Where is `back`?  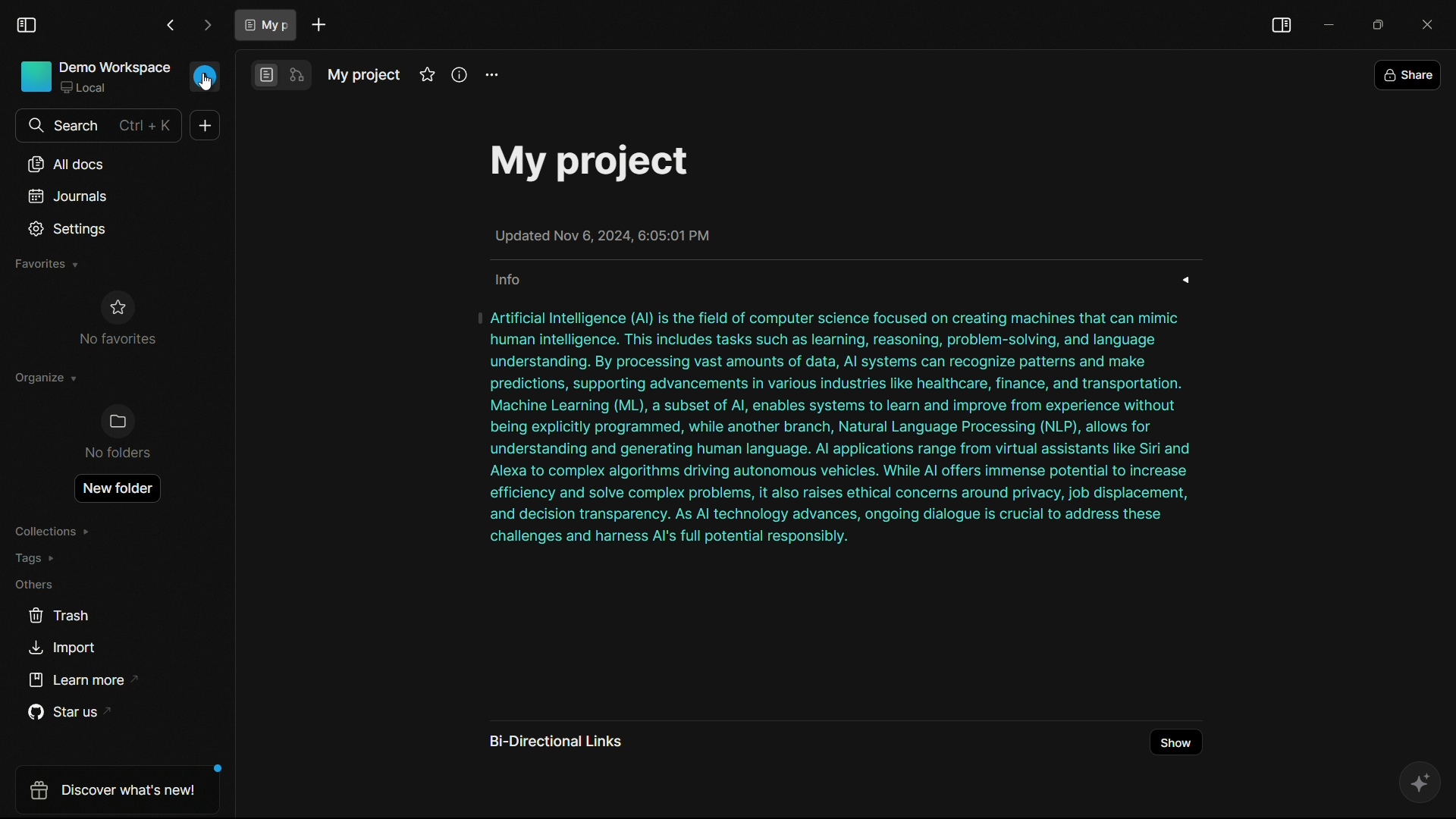
back is located at coordinates (170, 26).